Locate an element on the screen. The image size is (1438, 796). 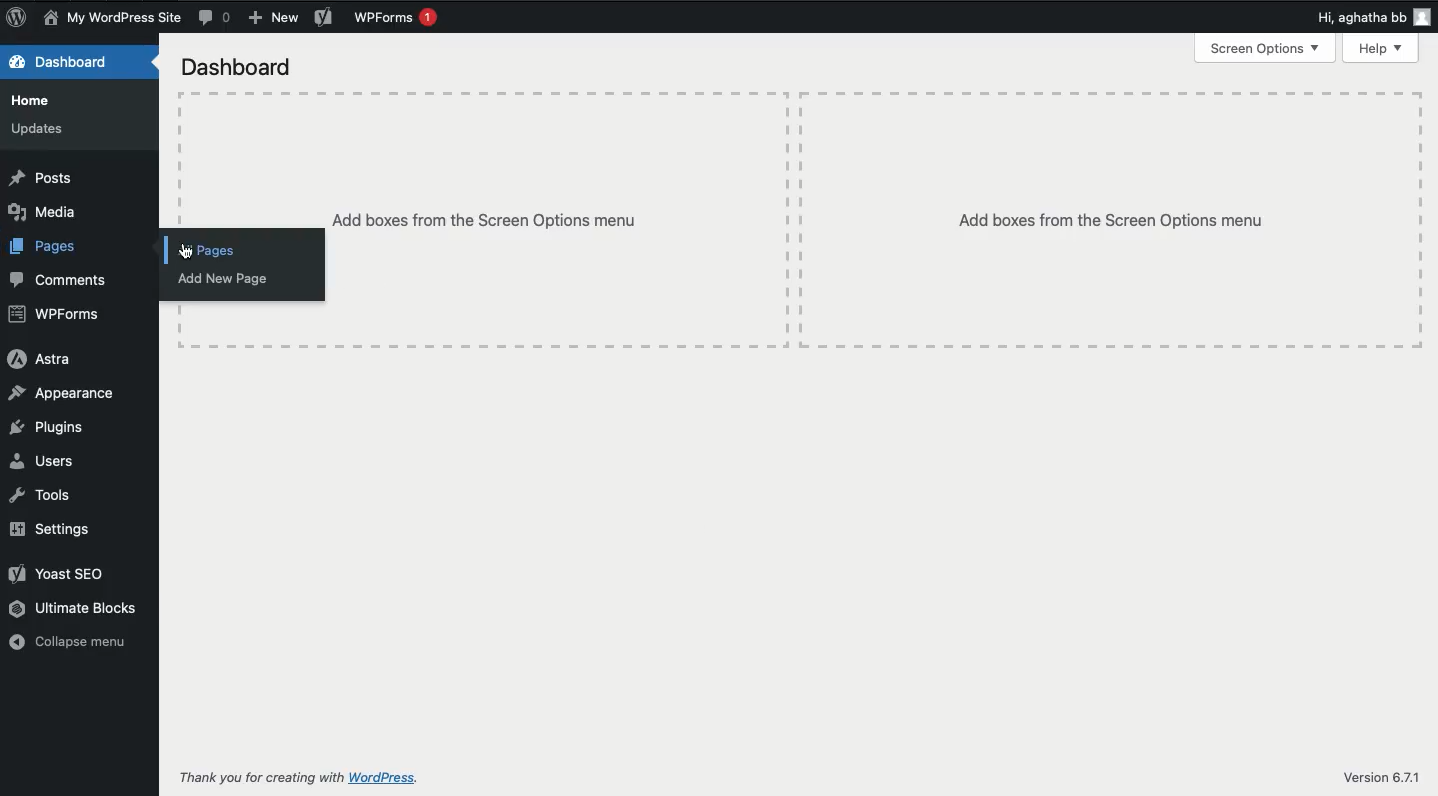
Users is located at coordinates (40, 461).